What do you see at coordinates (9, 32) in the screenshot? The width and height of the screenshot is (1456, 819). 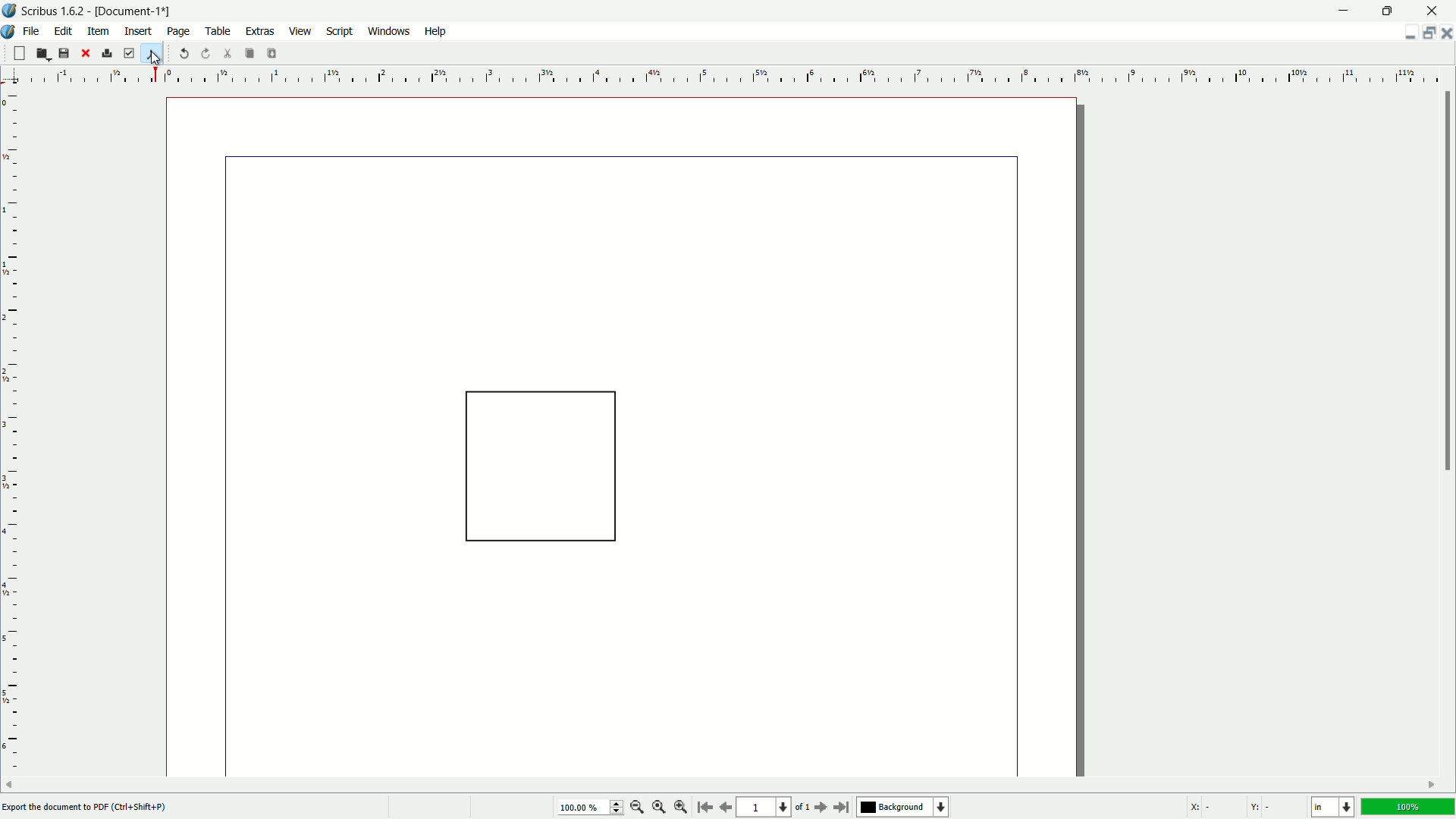 I see `app icon` at bounding box center [9, 32].